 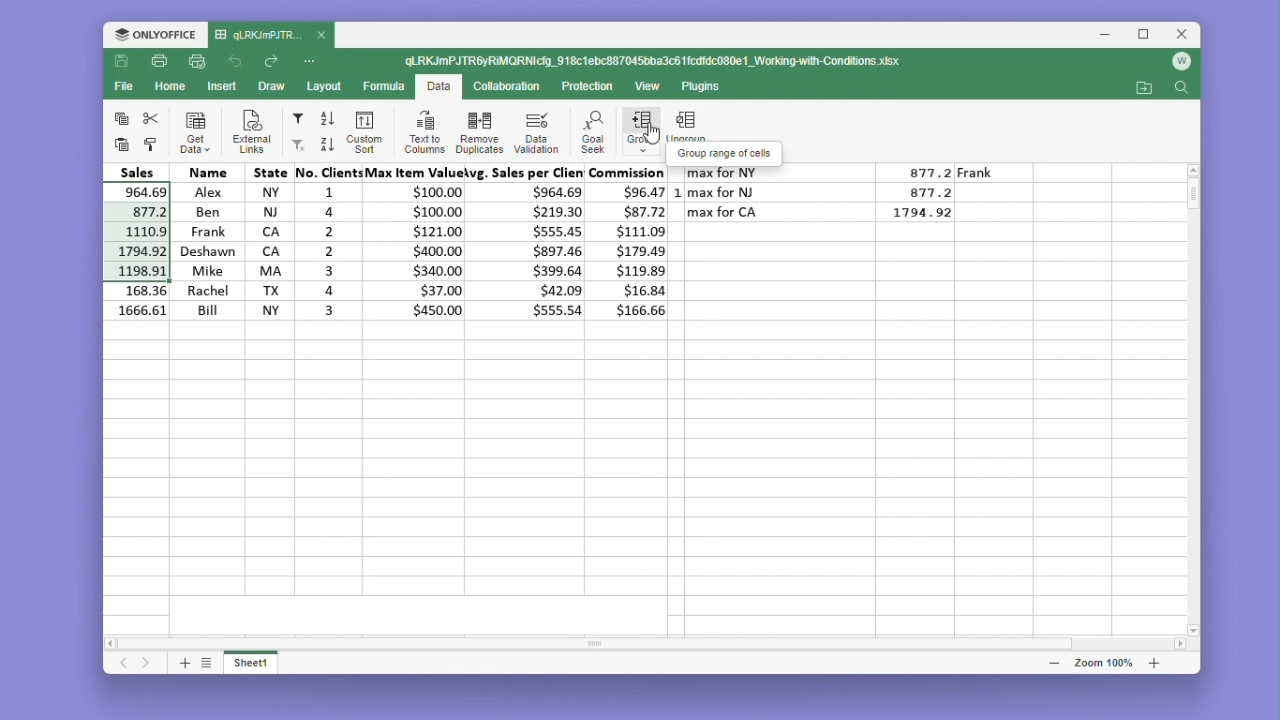 I want to click on , so click(x=647, y=86).